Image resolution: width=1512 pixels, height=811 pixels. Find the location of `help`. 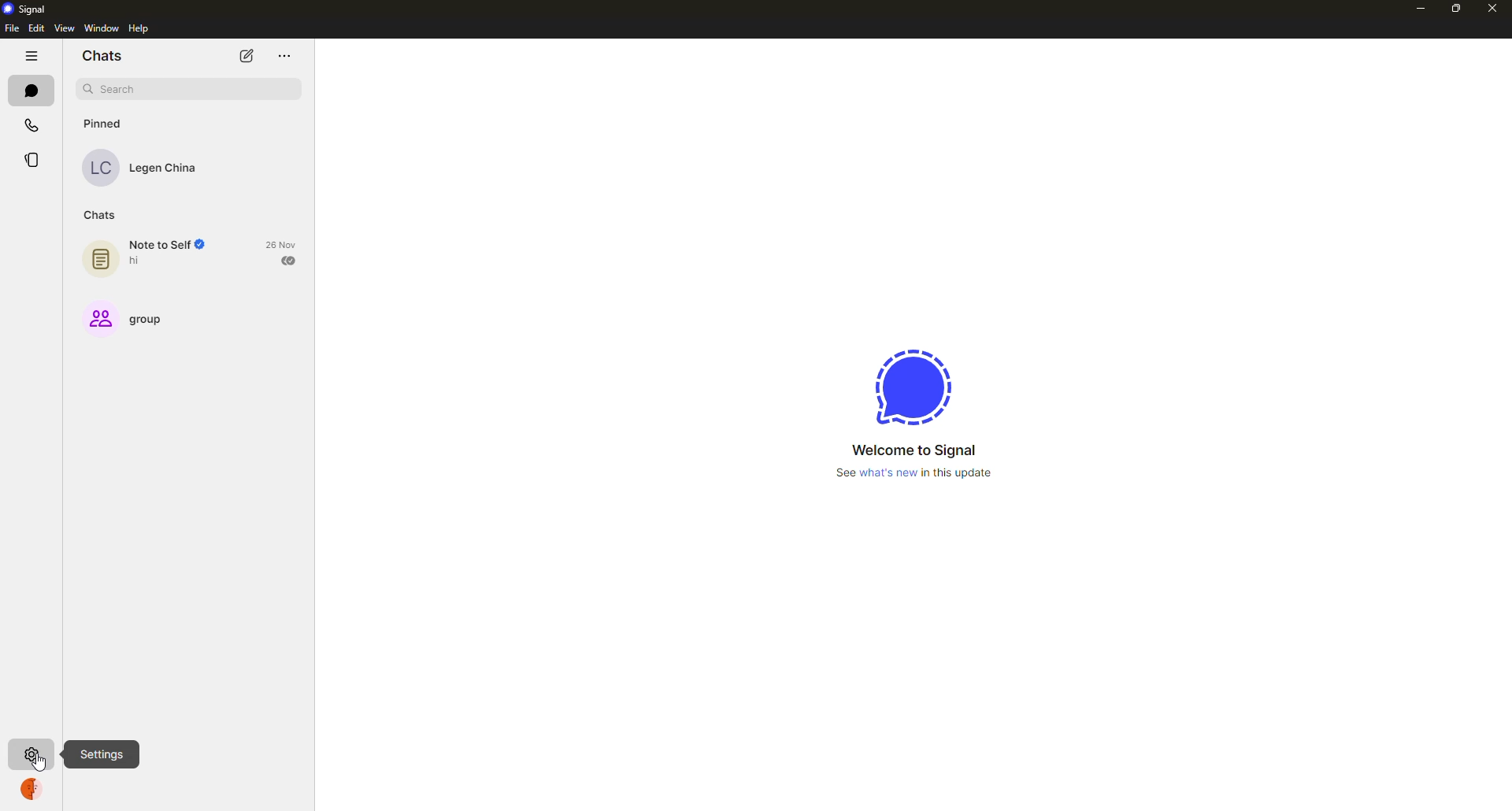

help is located at coordinates (138, 28).